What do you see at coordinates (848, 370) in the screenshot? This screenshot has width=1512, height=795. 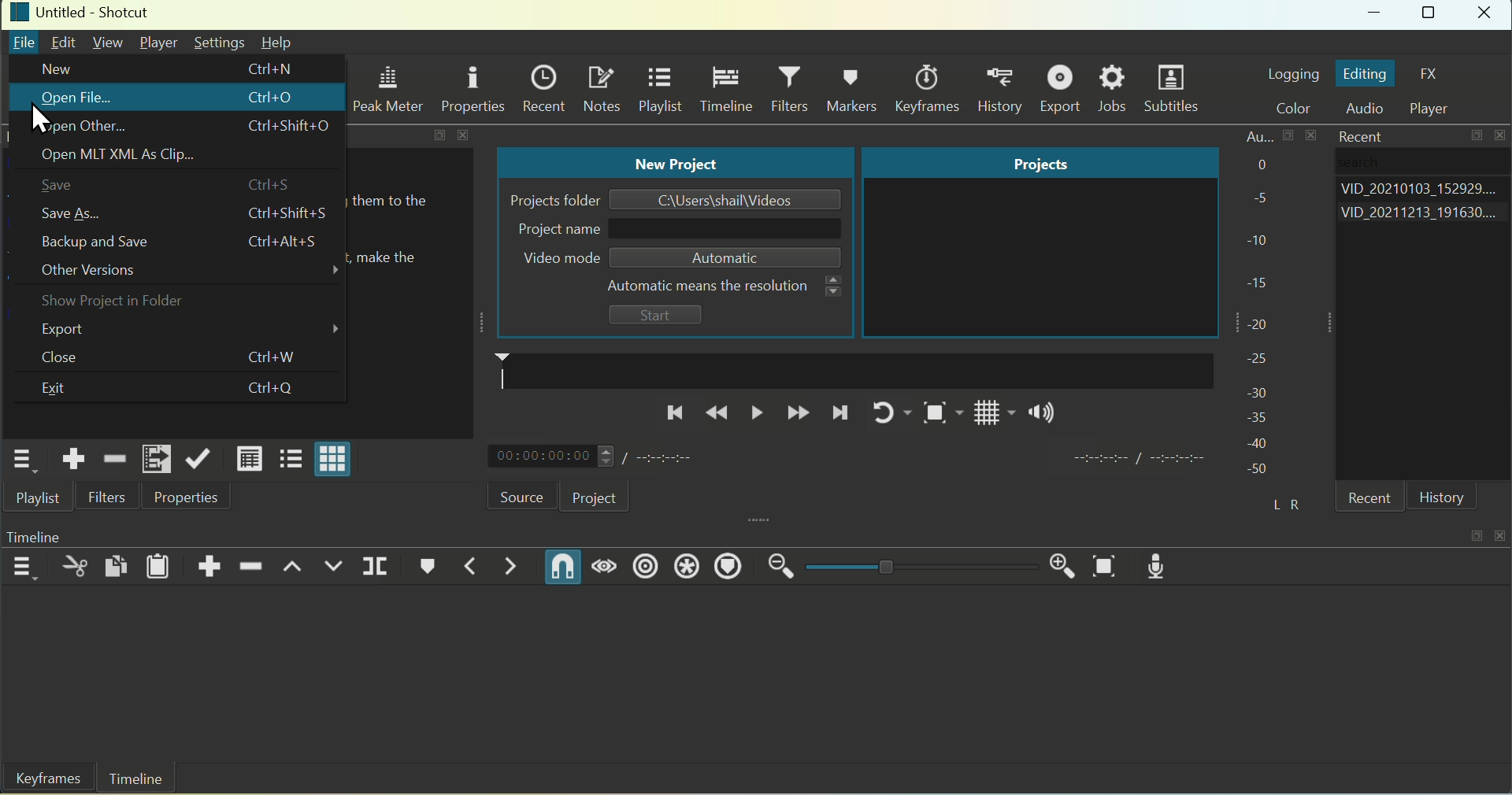 I see `marker` at bounding box center [848, 370].